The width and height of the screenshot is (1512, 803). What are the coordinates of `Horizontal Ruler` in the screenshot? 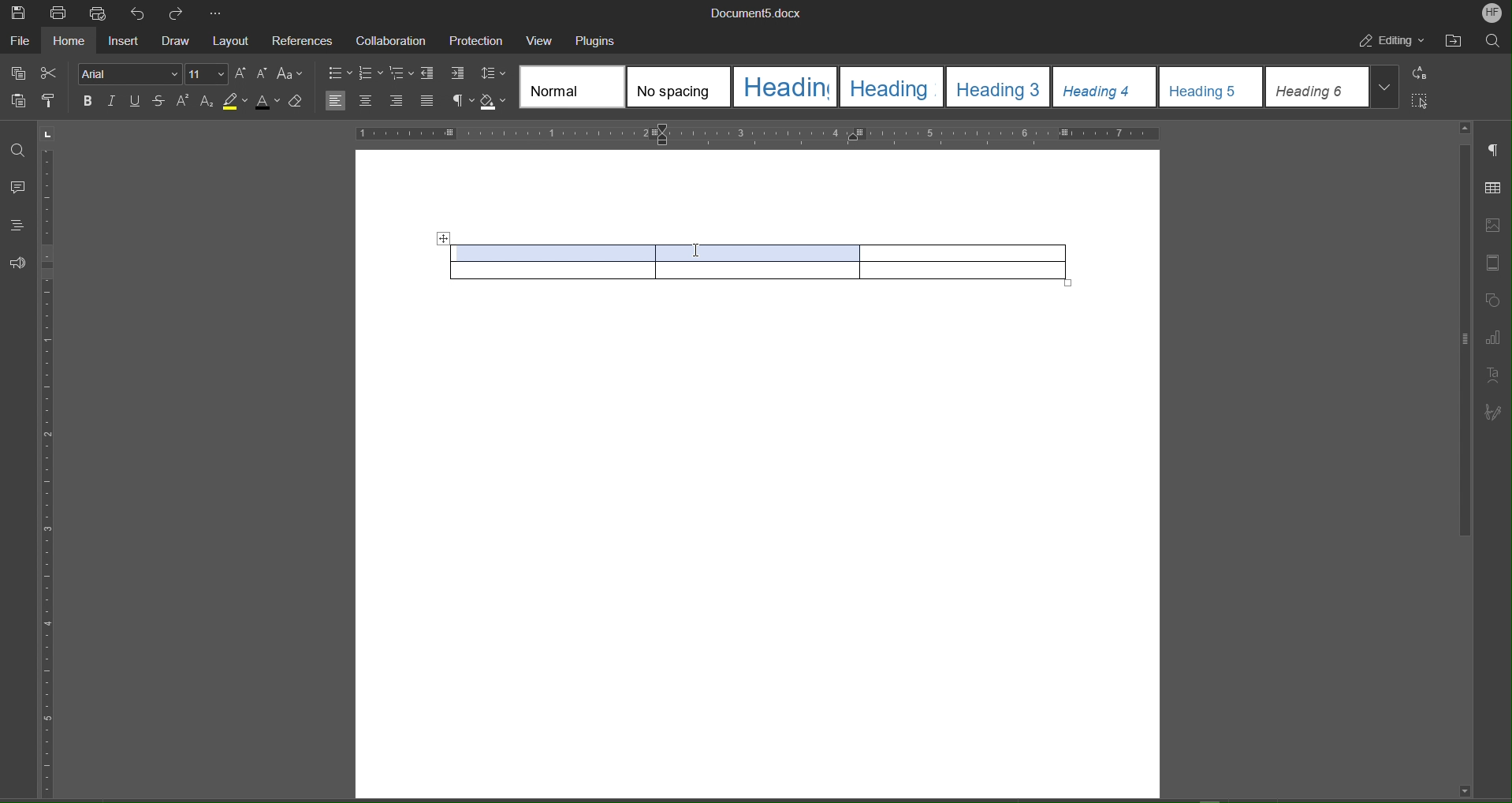 It's located at (757, 133).